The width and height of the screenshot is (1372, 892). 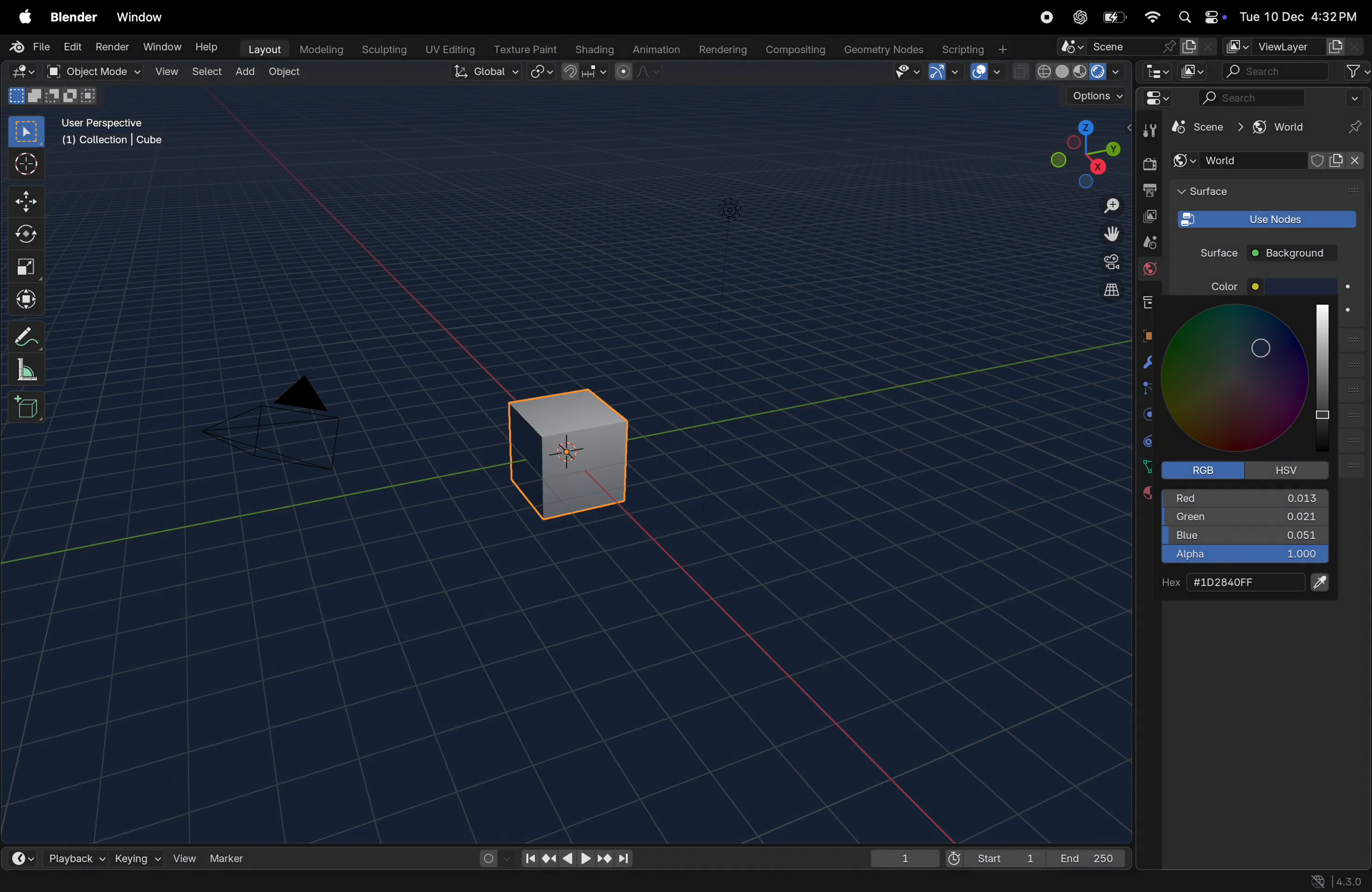 What do you see at coordinates (29, 165) in the screenshot?
I see `cursor` at bounding box center [29, 165].